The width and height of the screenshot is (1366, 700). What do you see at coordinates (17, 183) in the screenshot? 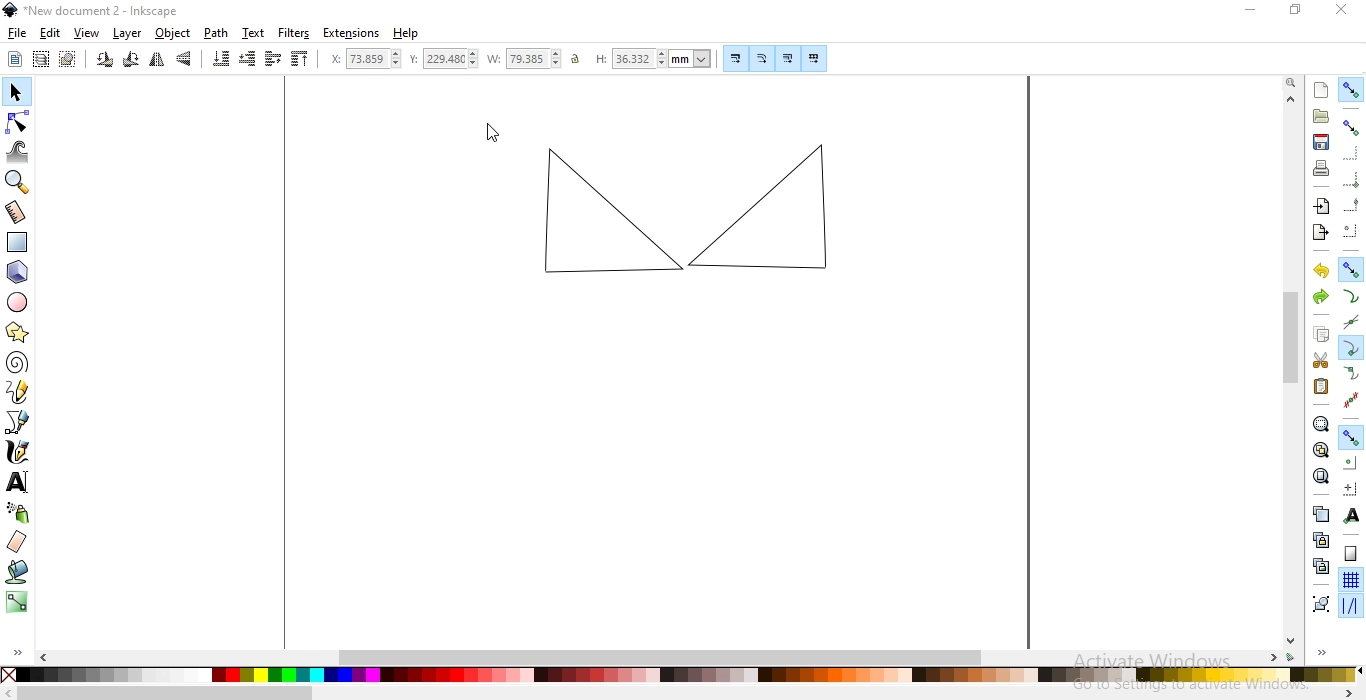
I see `zoom in or out` at bounding box center [17, 183].